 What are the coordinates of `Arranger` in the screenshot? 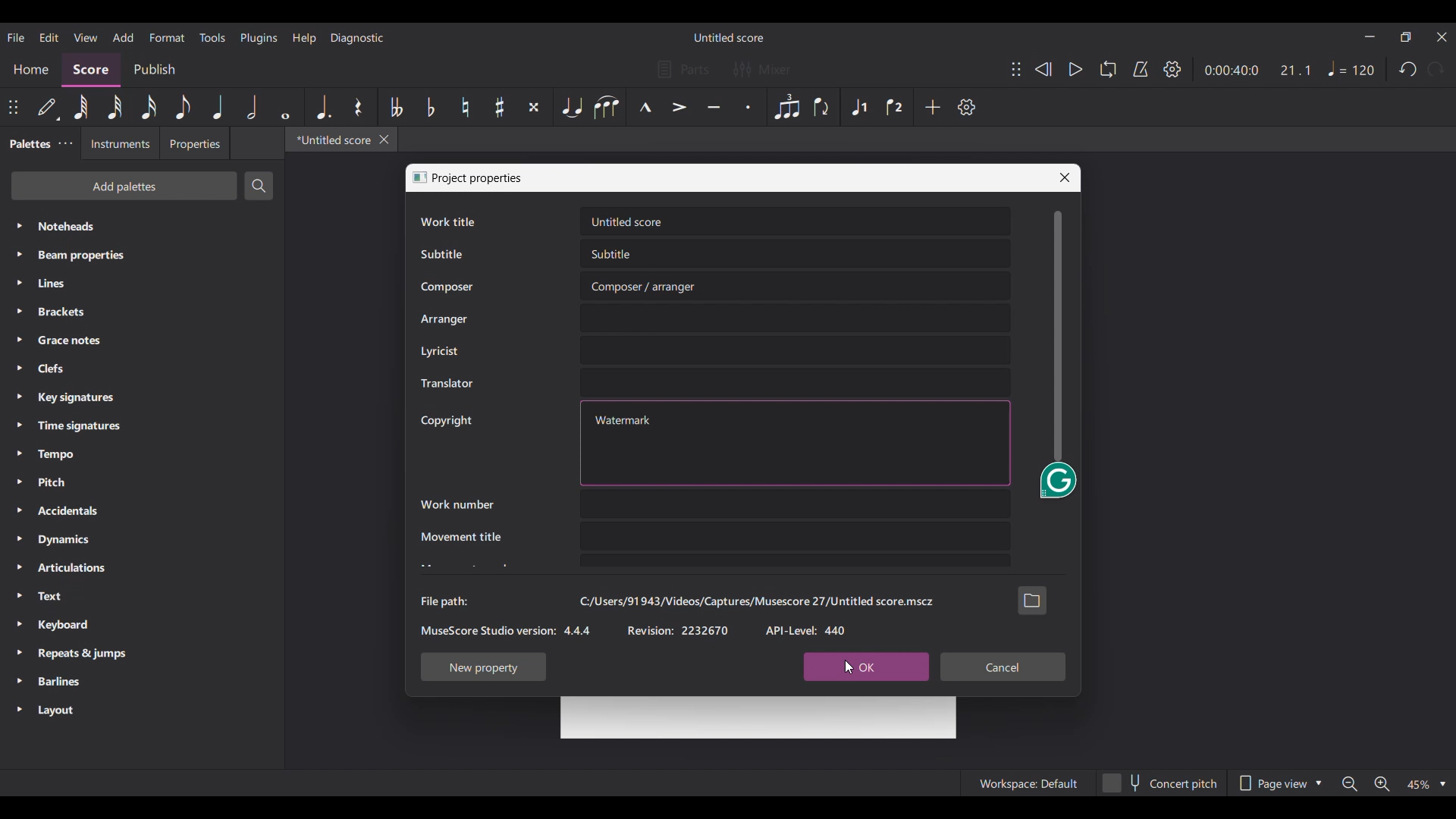 It's located at (444, 319).